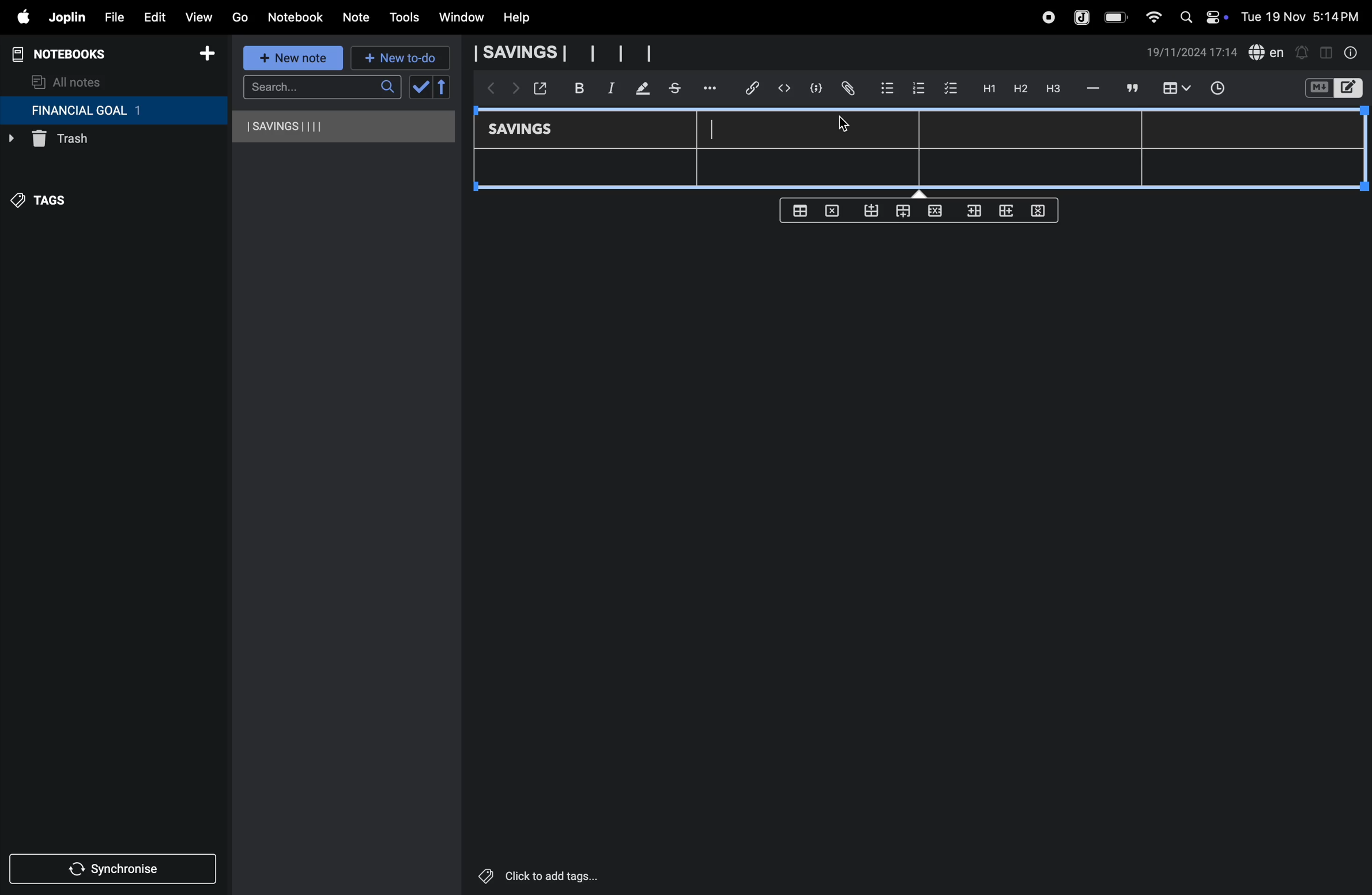 This screenshot has height=895, width=1372. What do you see at coordinates (1039, 210) in the screenshot?
I see `delete rows` at bounding box center [1039, 210].